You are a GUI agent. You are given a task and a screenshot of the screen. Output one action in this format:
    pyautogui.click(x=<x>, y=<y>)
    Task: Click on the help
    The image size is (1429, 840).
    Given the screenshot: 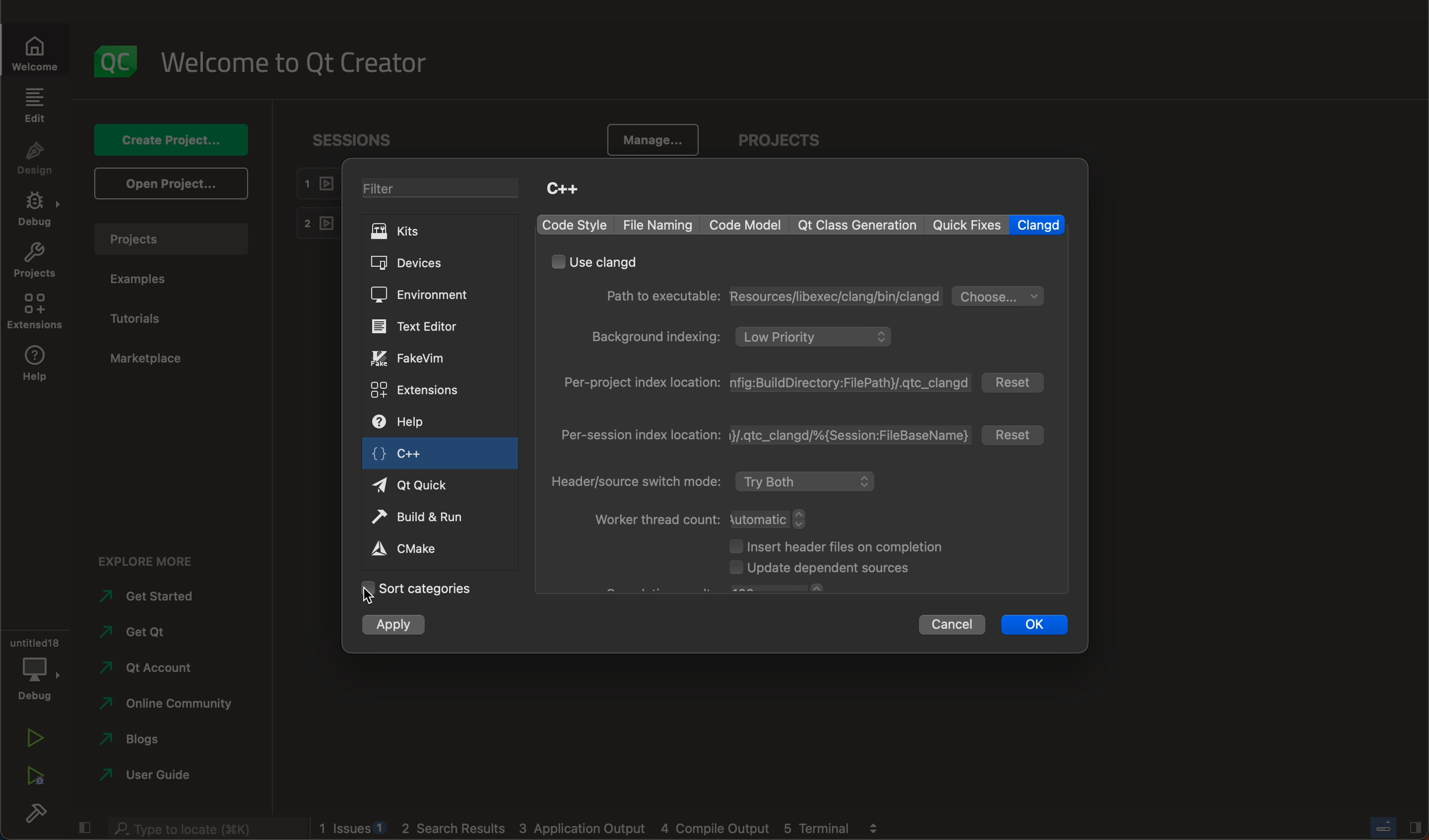 What is the action you would take?
    pyautogui.click(x=419, y=421)
    